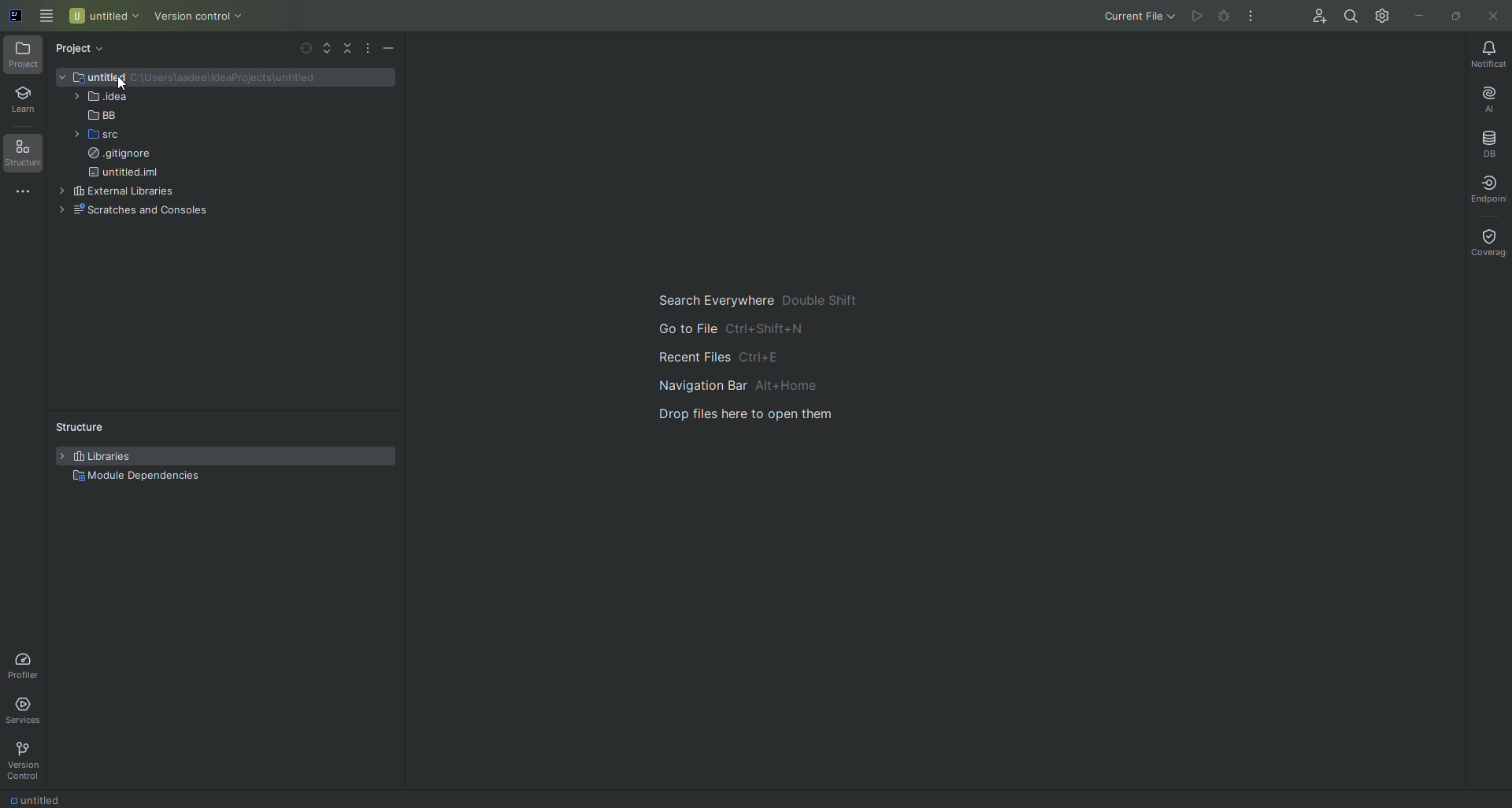  I want to click on Search, so click(1347, 17).